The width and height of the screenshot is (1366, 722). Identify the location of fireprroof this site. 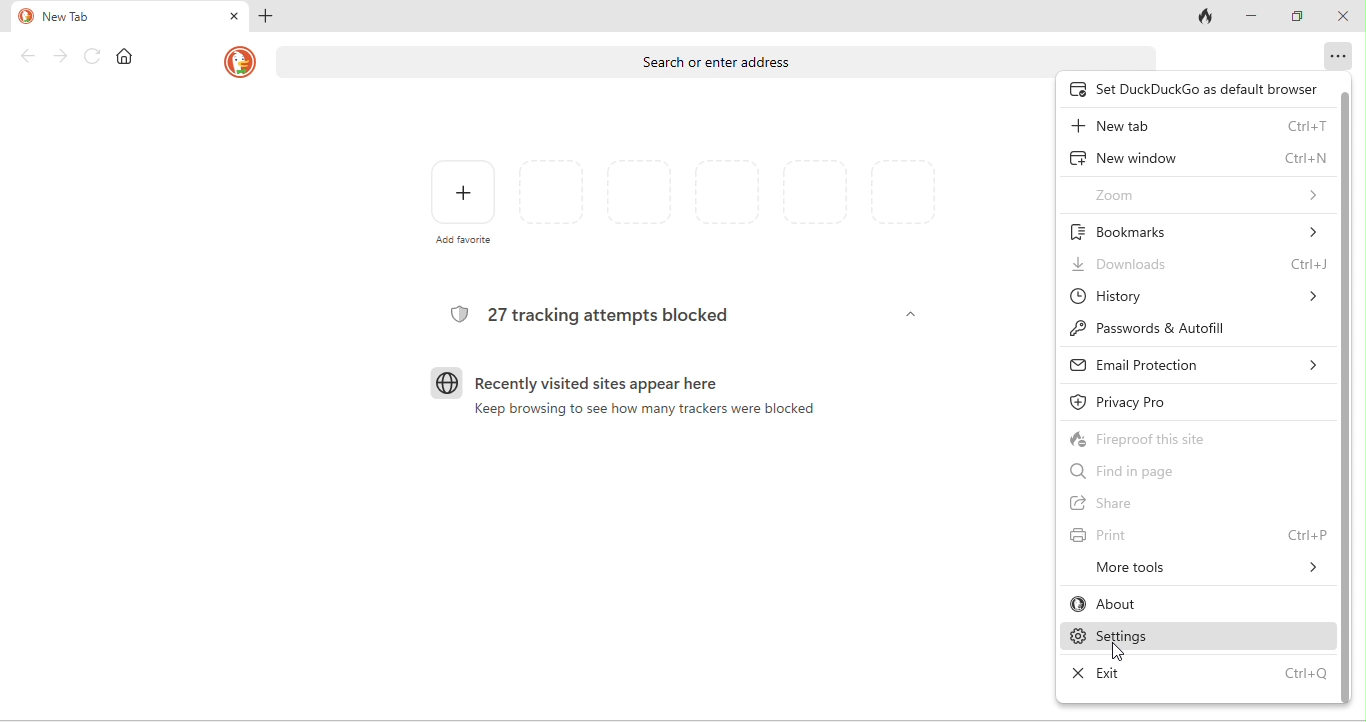
(1174, 436).